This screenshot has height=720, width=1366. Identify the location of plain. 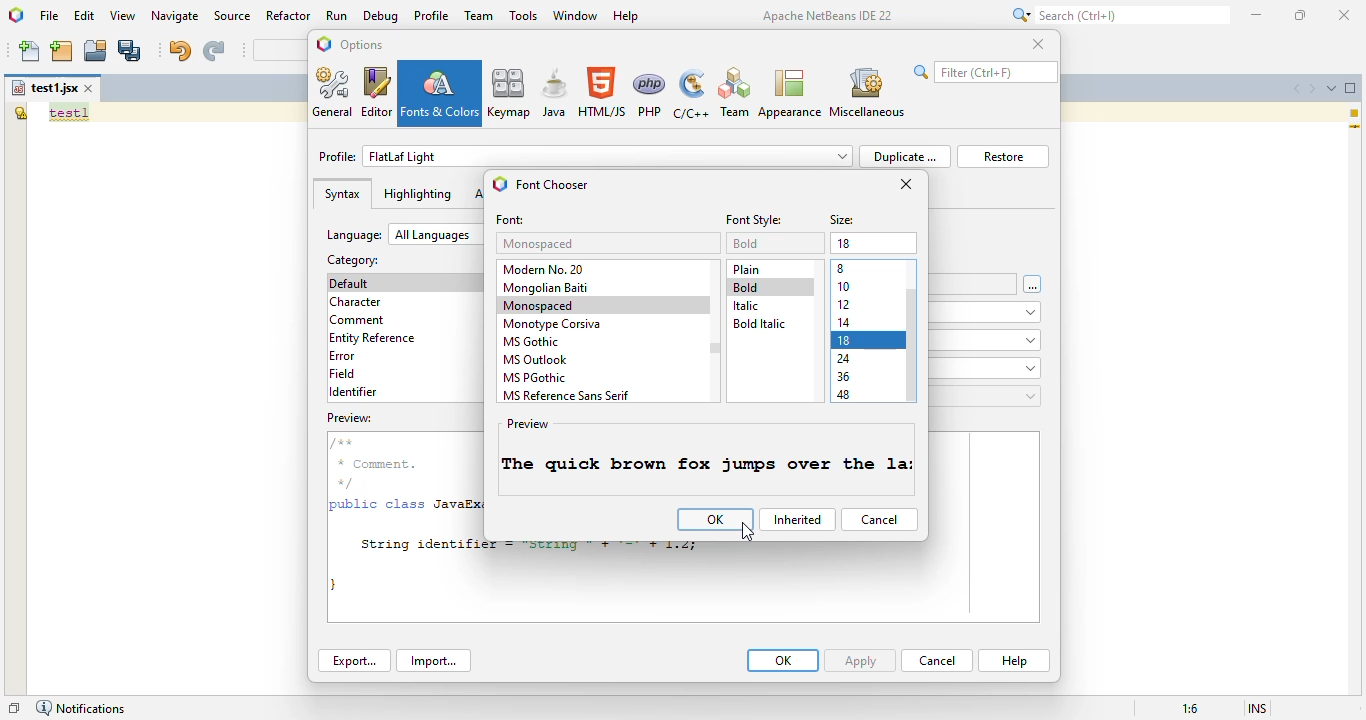
(747, 269).